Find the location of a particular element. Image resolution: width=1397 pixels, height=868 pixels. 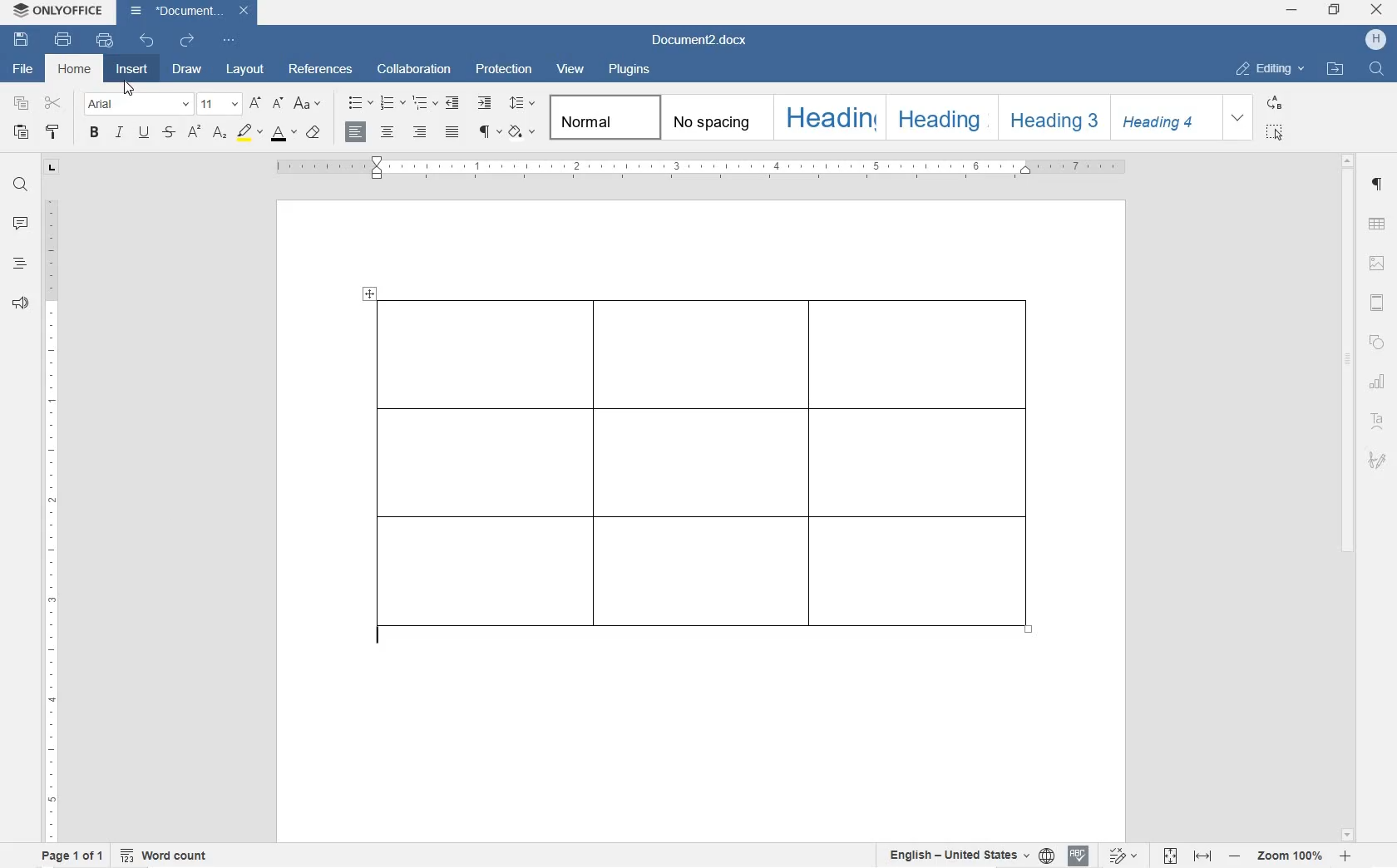

decrease indent is located at coordinates (452, 102).